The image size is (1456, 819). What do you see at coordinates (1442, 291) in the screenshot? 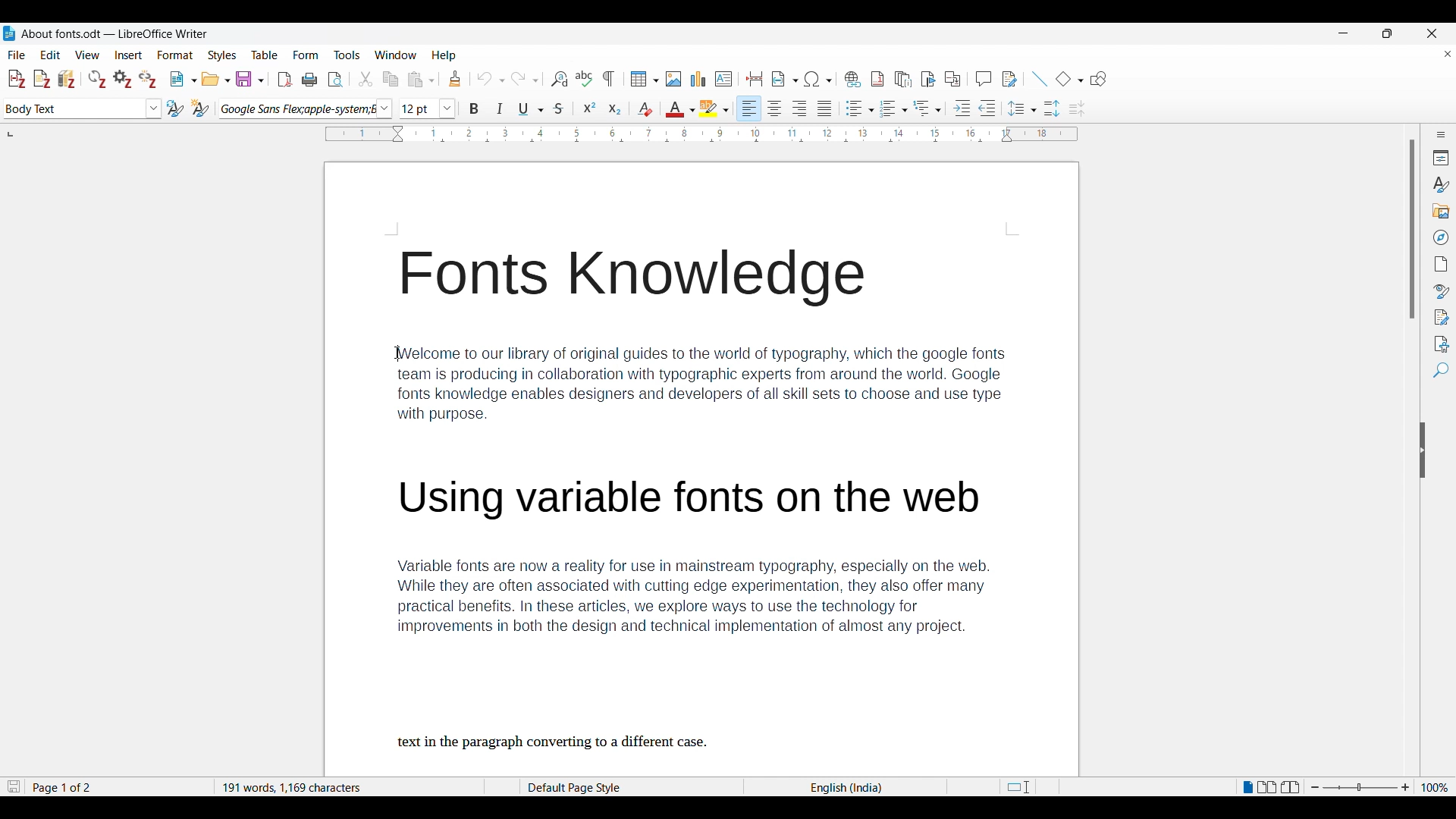
I see `Style inspector` at bounding box center [1442, 291].